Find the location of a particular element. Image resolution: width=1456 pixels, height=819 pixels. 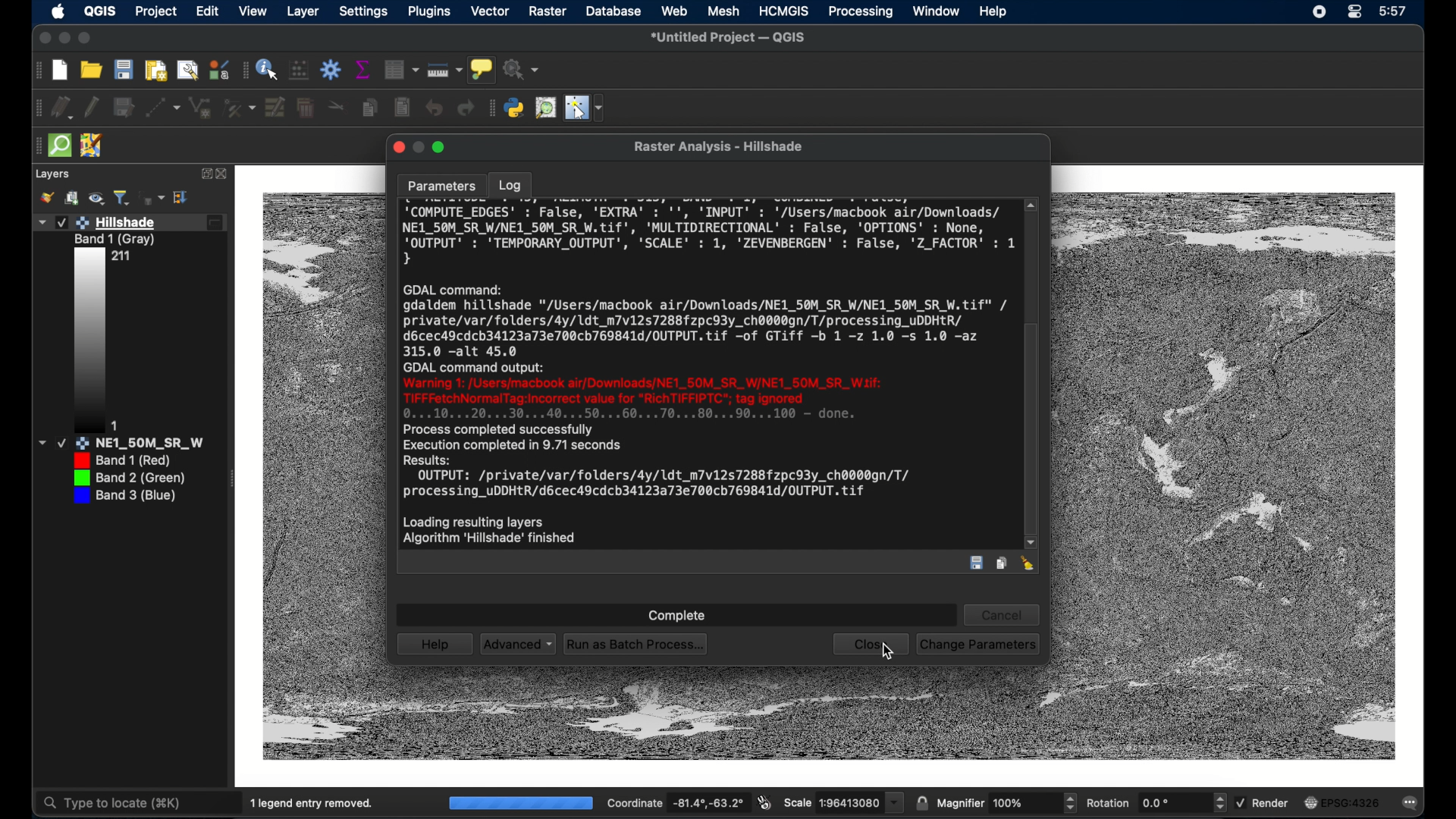

save log entry is located at coordinates (976, 563).